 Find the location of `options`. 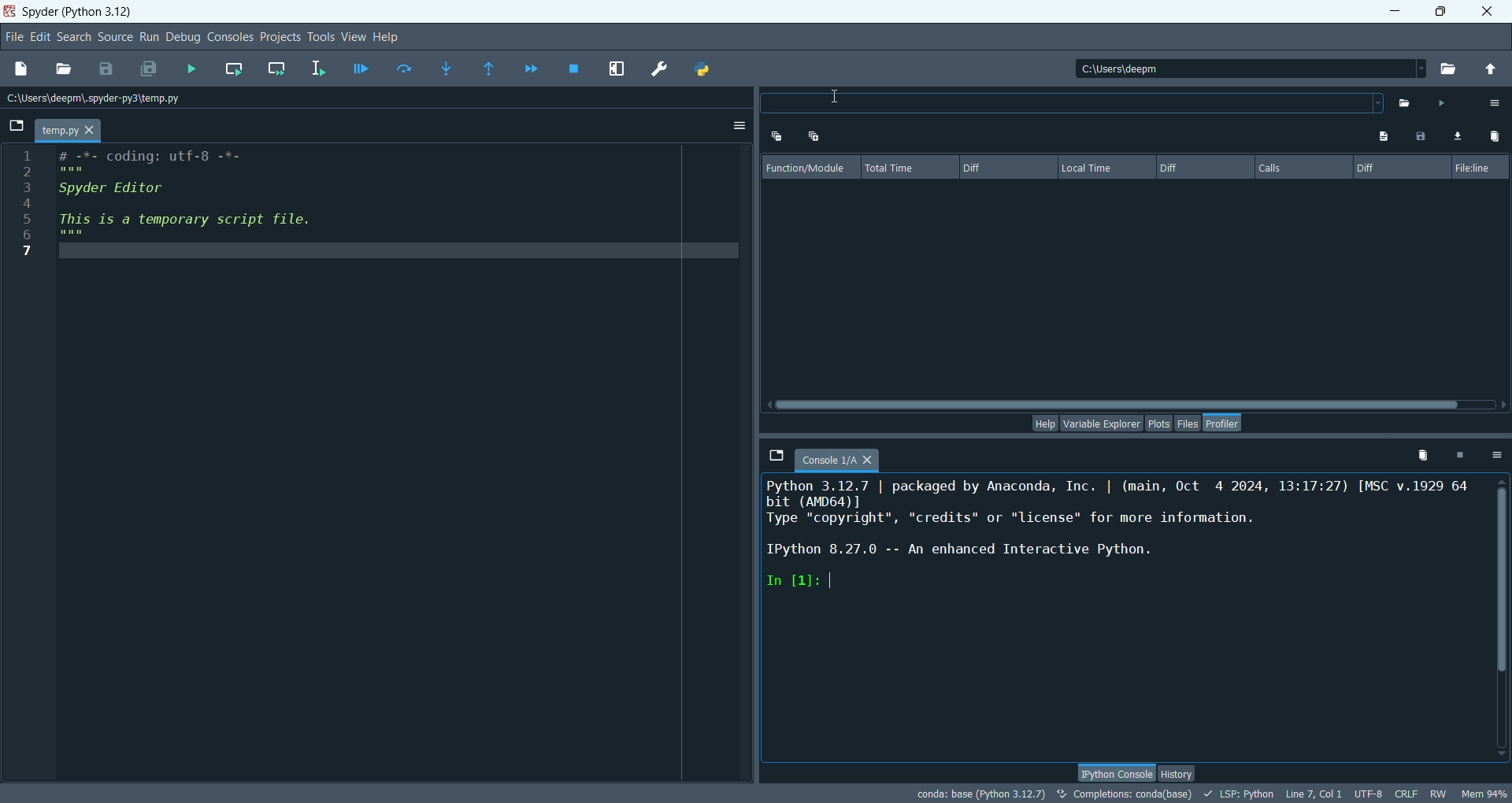

options is located at coordinates (1492, 102).